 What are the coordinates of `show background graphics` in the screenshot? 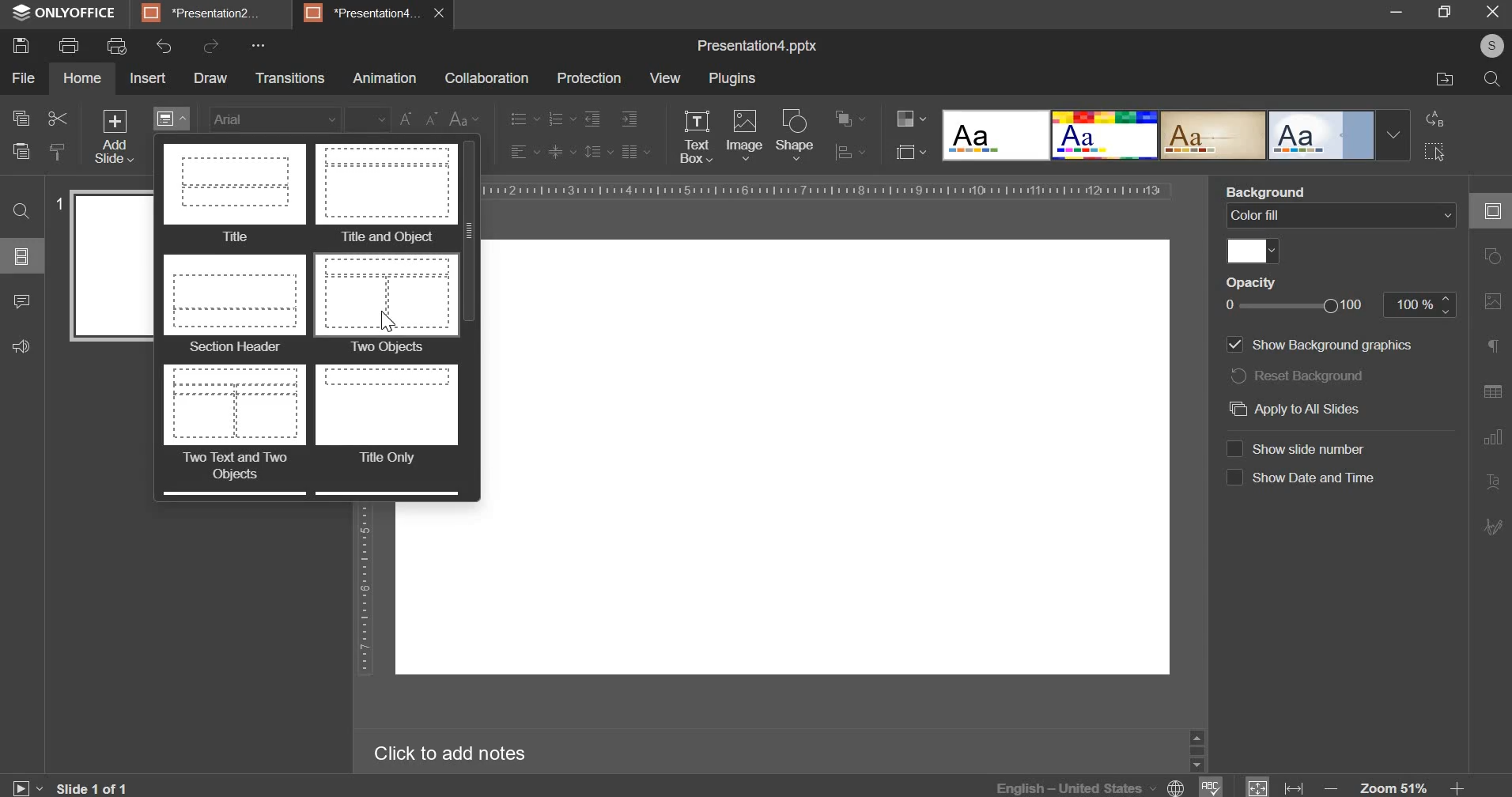 It's located at (1331, 344).